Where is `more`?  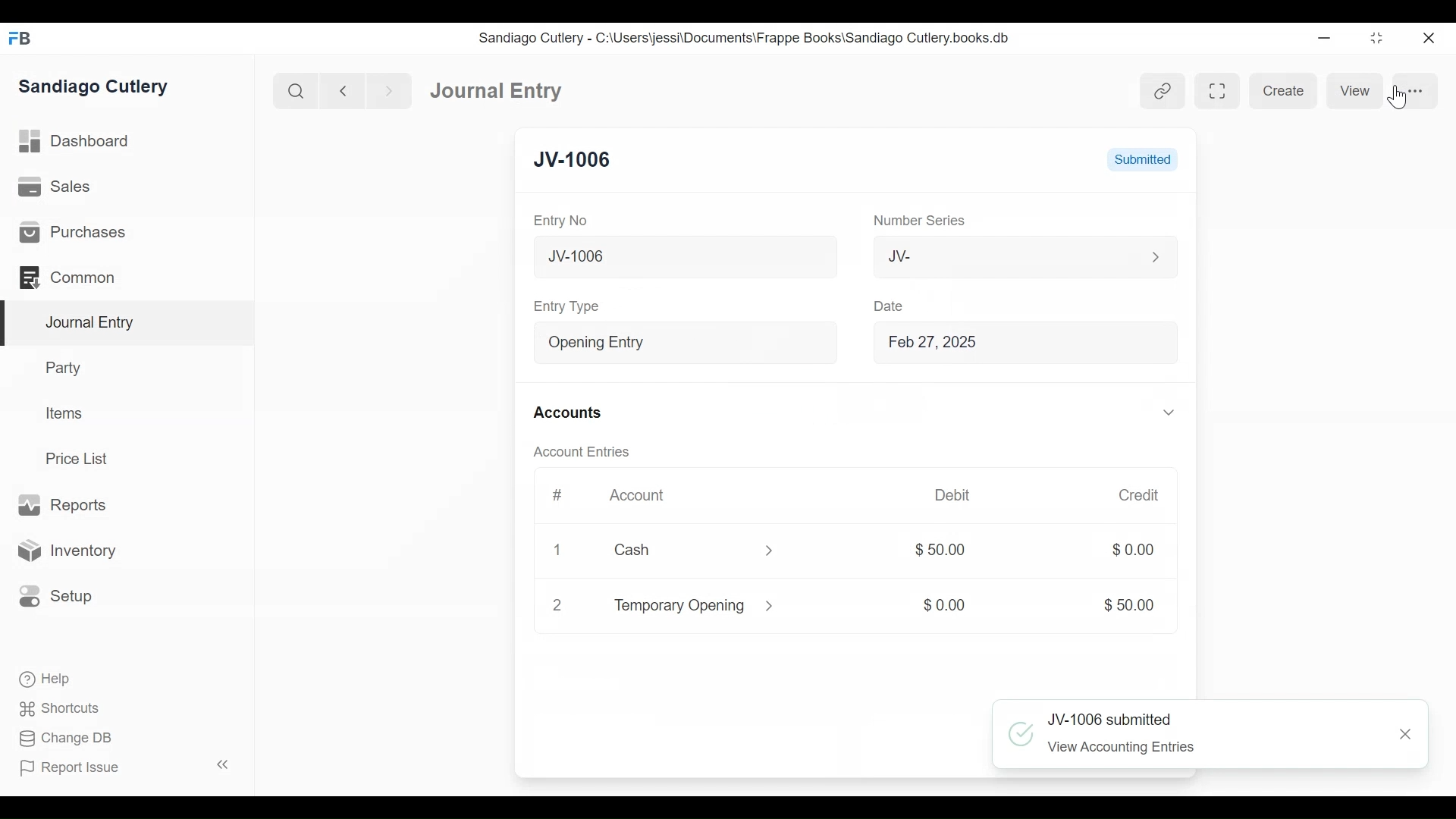 more is located at coordinates (1417, 89).